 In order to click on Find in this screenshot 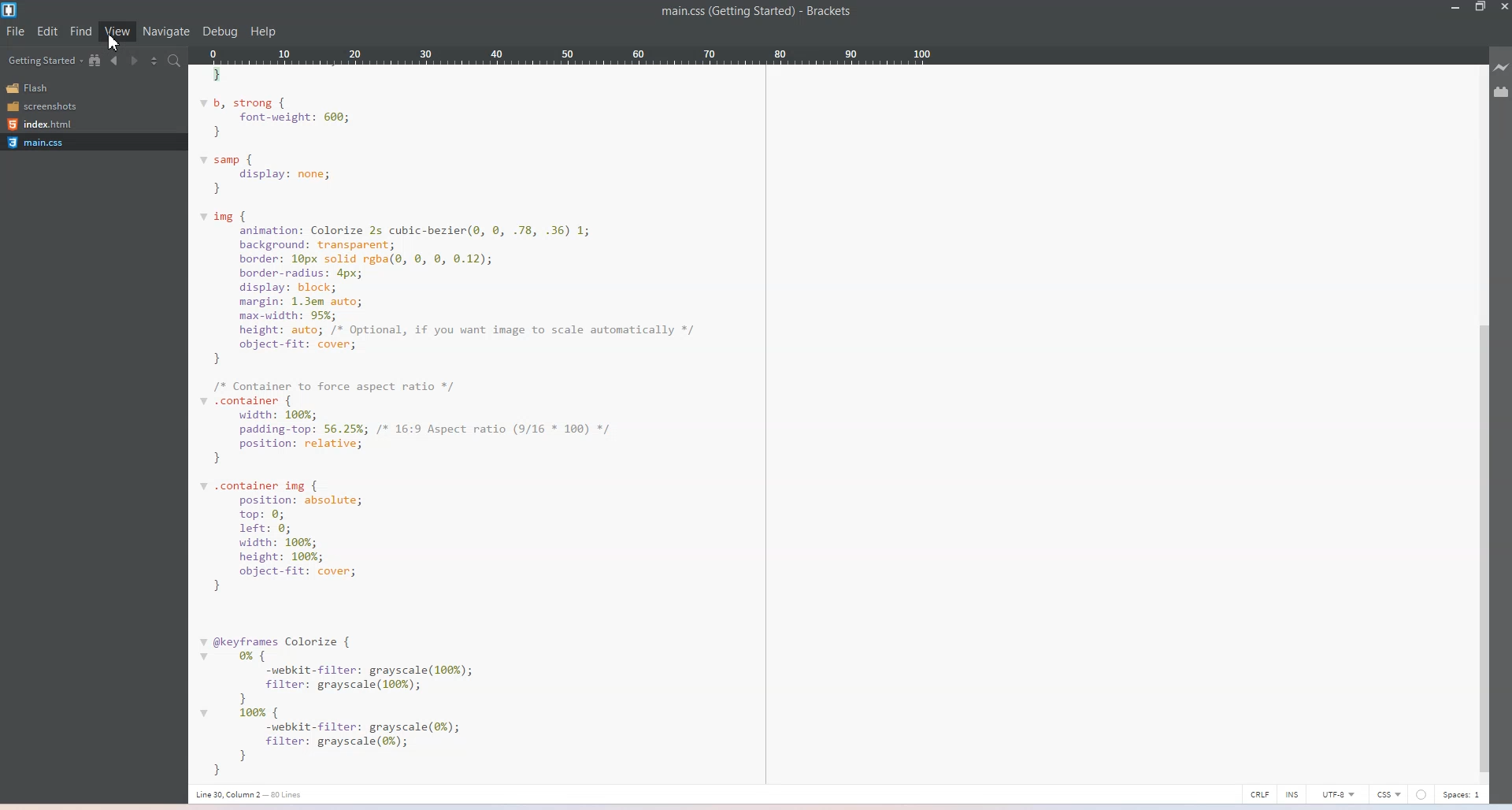, I will do `click(80, 31)`.